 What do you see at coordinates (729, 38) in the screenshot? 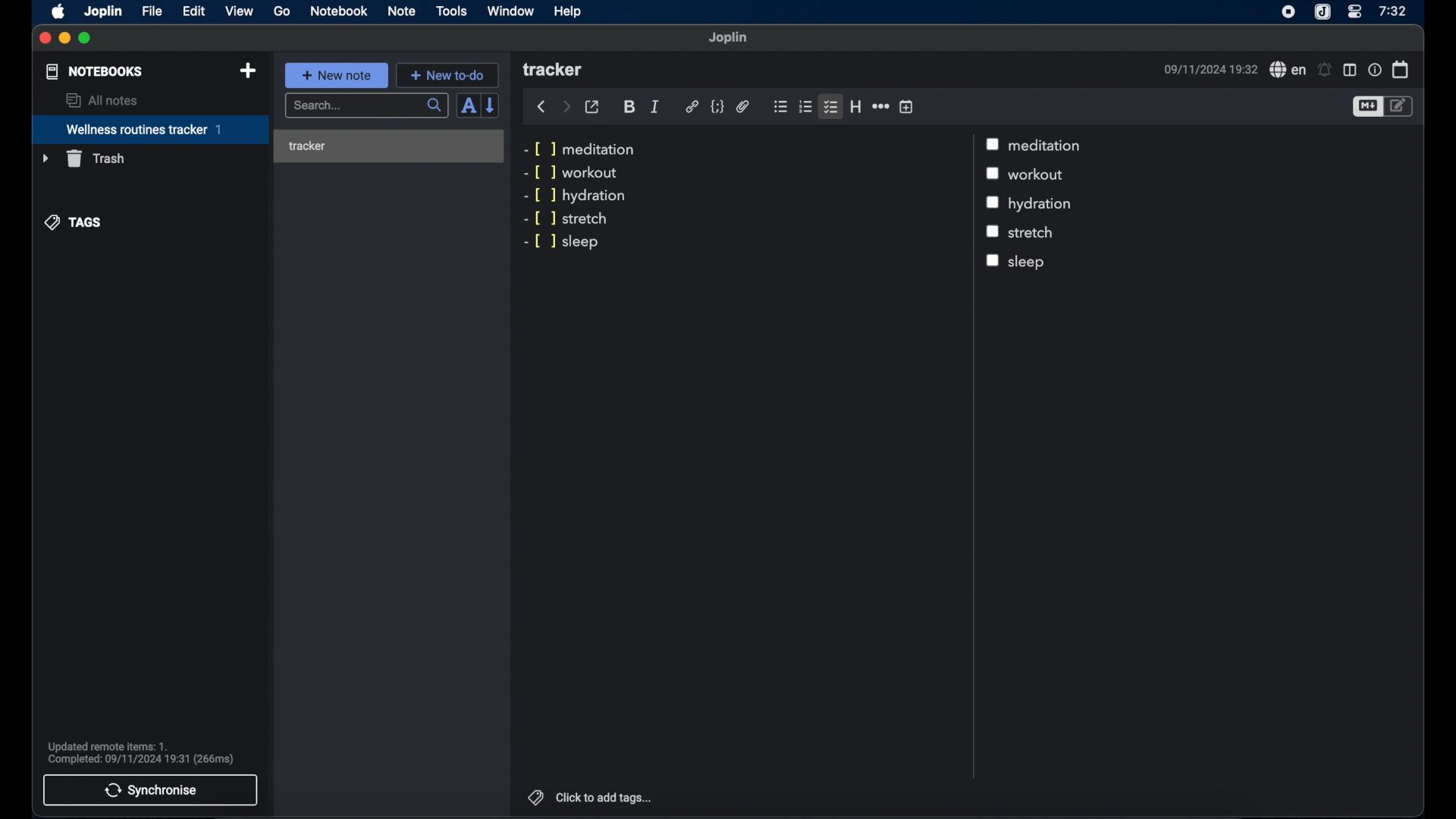
I see `joplin` at bounding box center [729, 38].